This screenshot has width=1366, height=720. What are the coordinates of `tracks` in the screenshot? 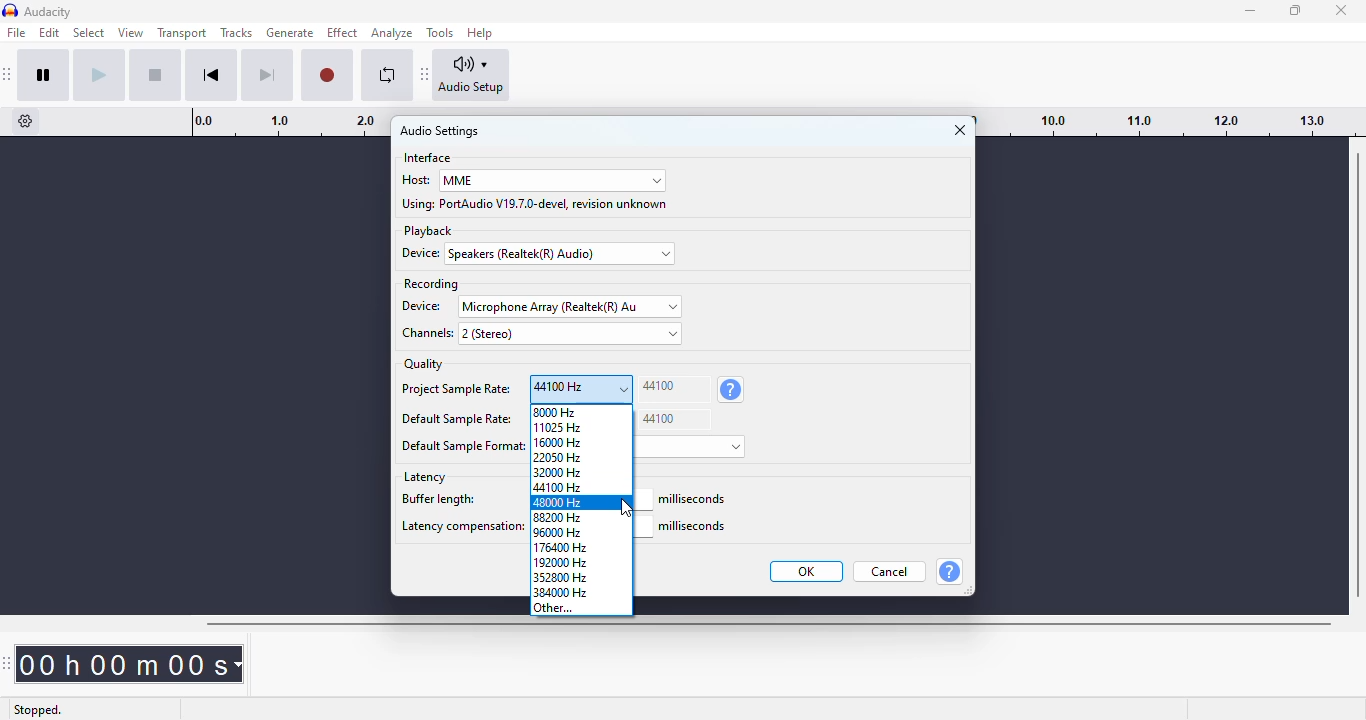 It's located at (236, 33).